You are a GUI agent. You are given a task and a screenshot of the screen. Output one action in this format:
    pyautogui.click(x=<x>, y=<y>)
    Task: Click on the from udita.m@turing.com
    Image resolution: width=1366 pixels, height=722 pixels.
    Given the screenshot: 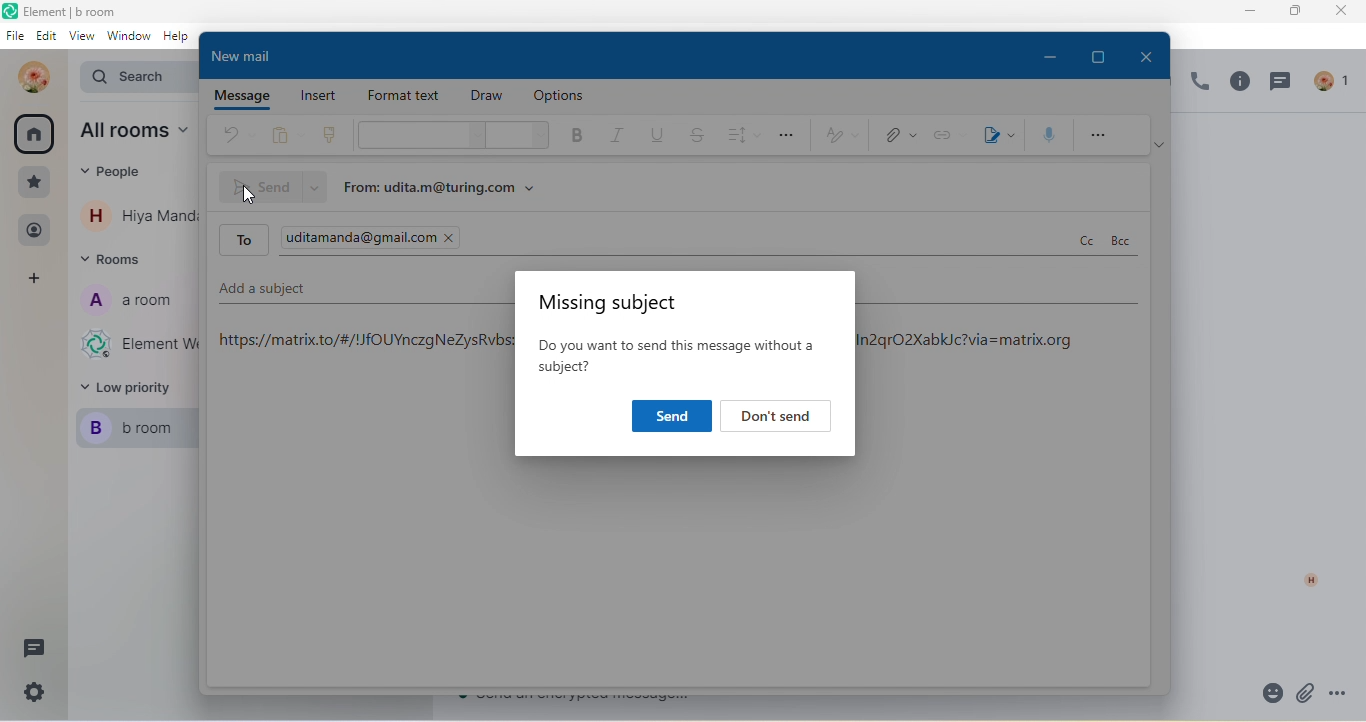 What is the action you would take?
    pyautogui.click(x=449, y=189)
    